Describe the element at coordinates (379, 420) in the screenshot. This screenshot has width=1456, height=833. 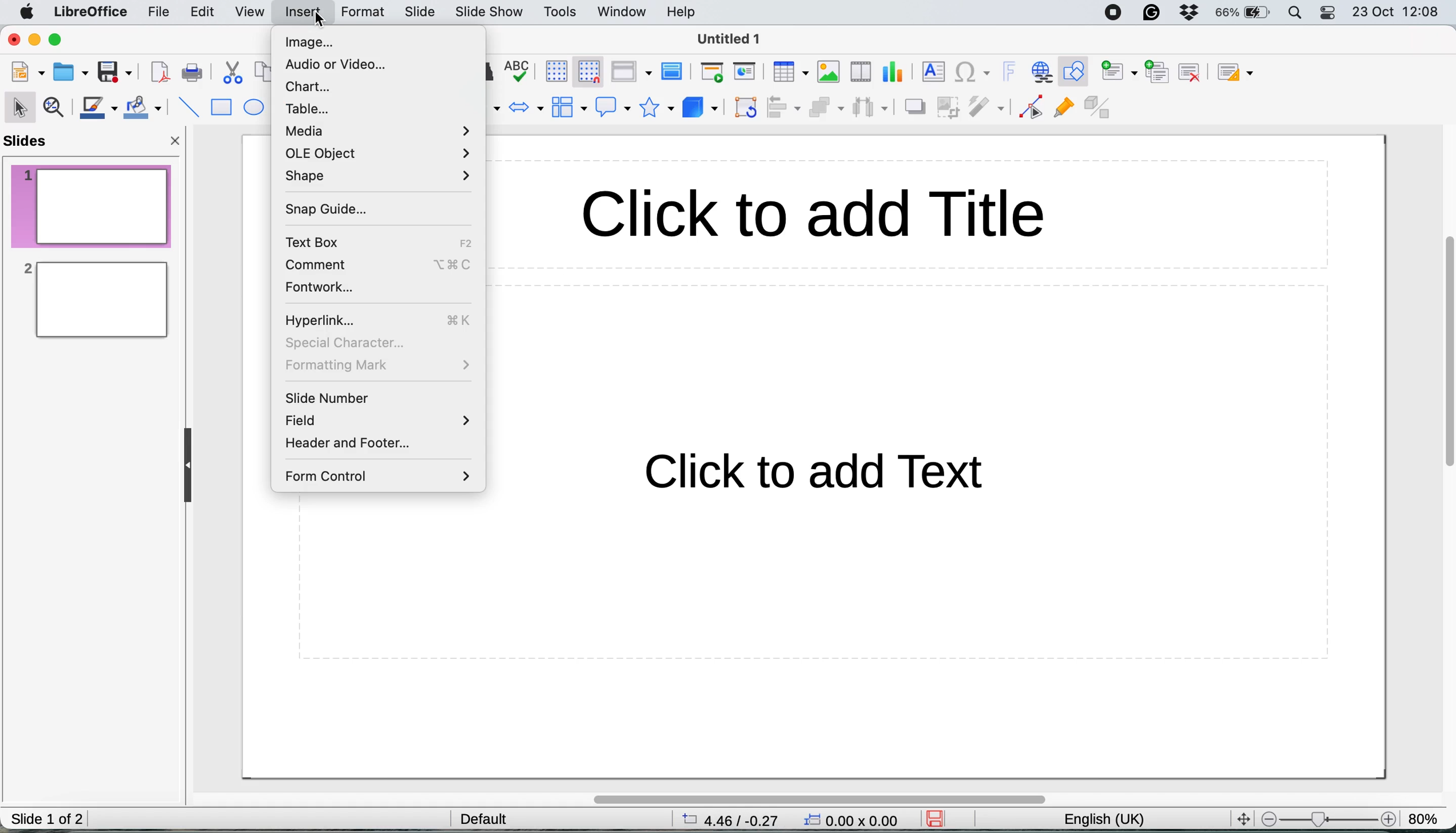
I see `field` at that location.